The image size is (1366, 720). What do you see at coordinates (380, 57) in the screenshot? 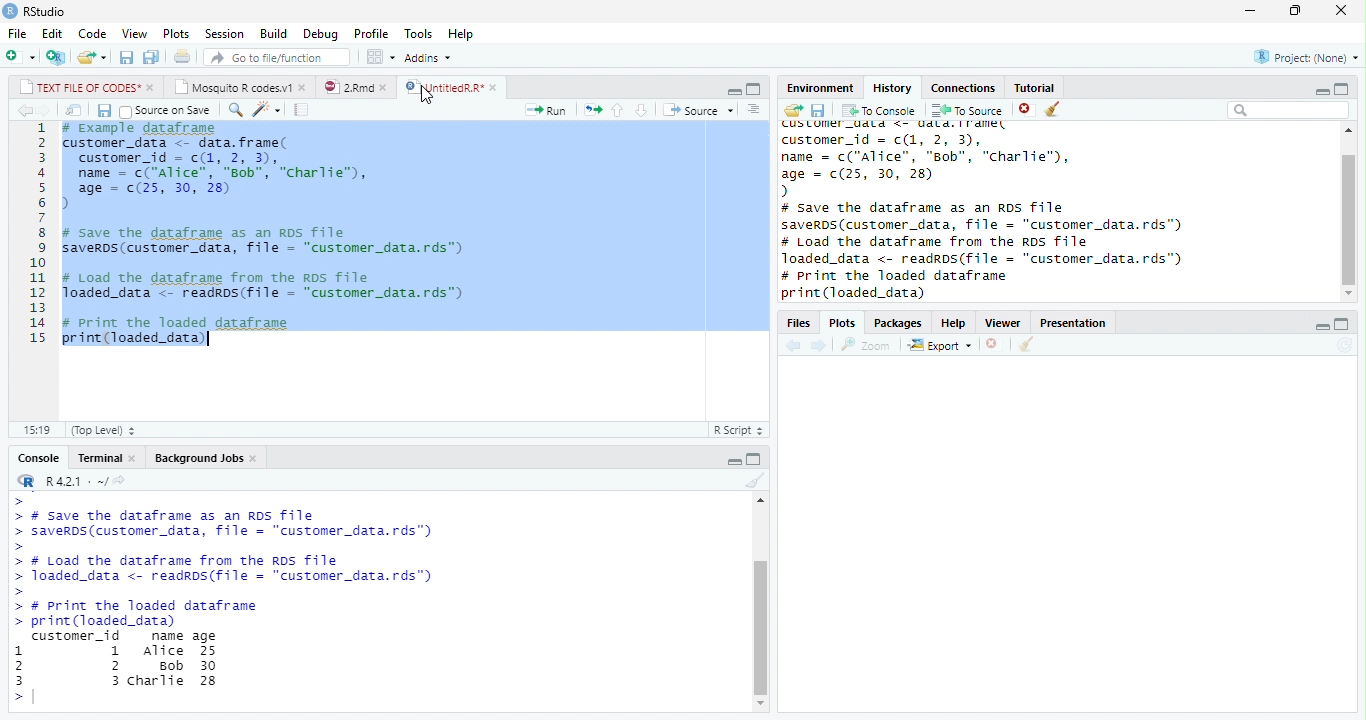
I see `options` at bounding box center [380, 57].